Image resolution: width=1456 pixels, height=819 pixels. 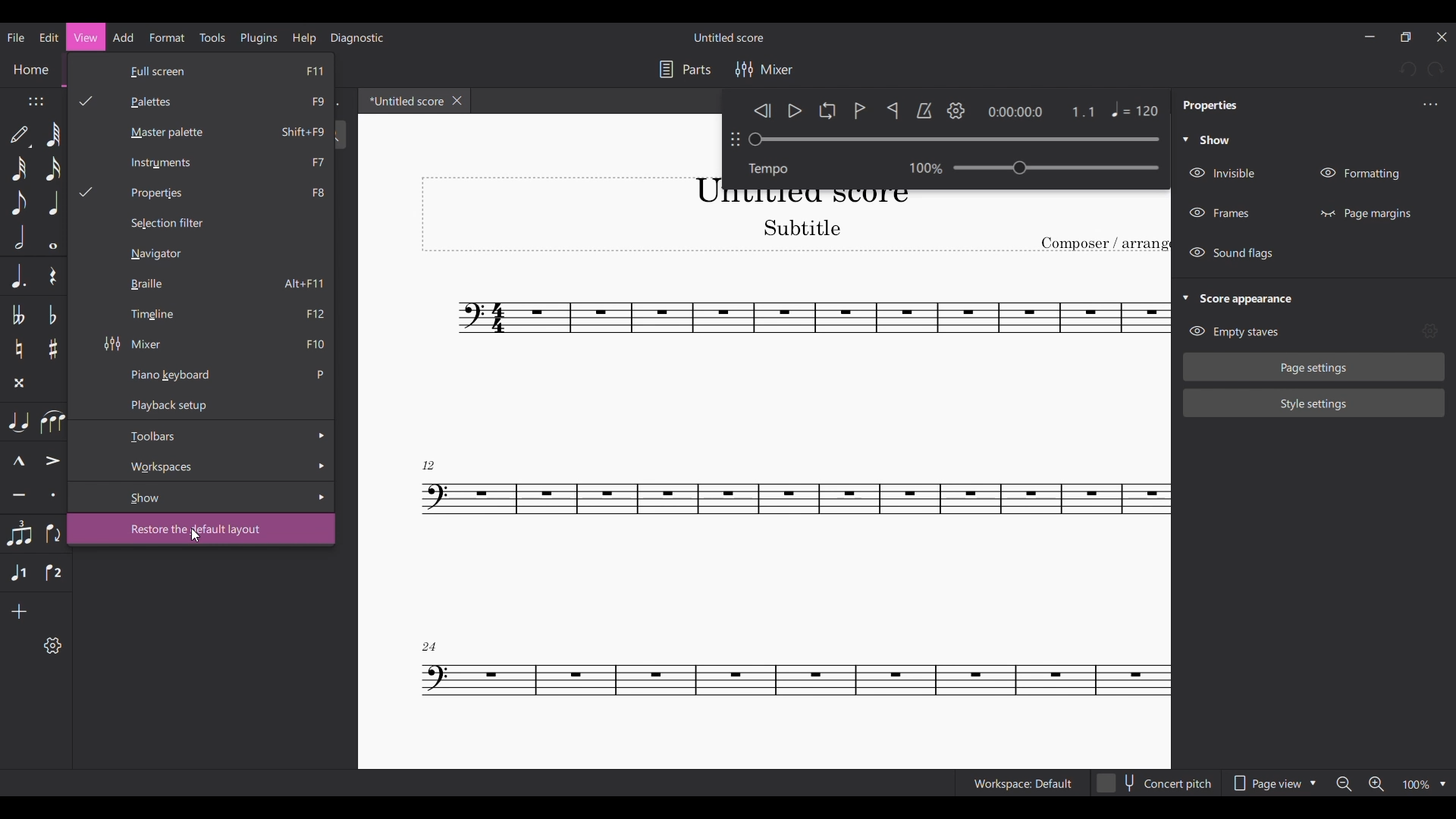 What do you see at coordinates (1360, 174) in the screenshot?
I see `Formatting` at bounding box center [1360, 174].